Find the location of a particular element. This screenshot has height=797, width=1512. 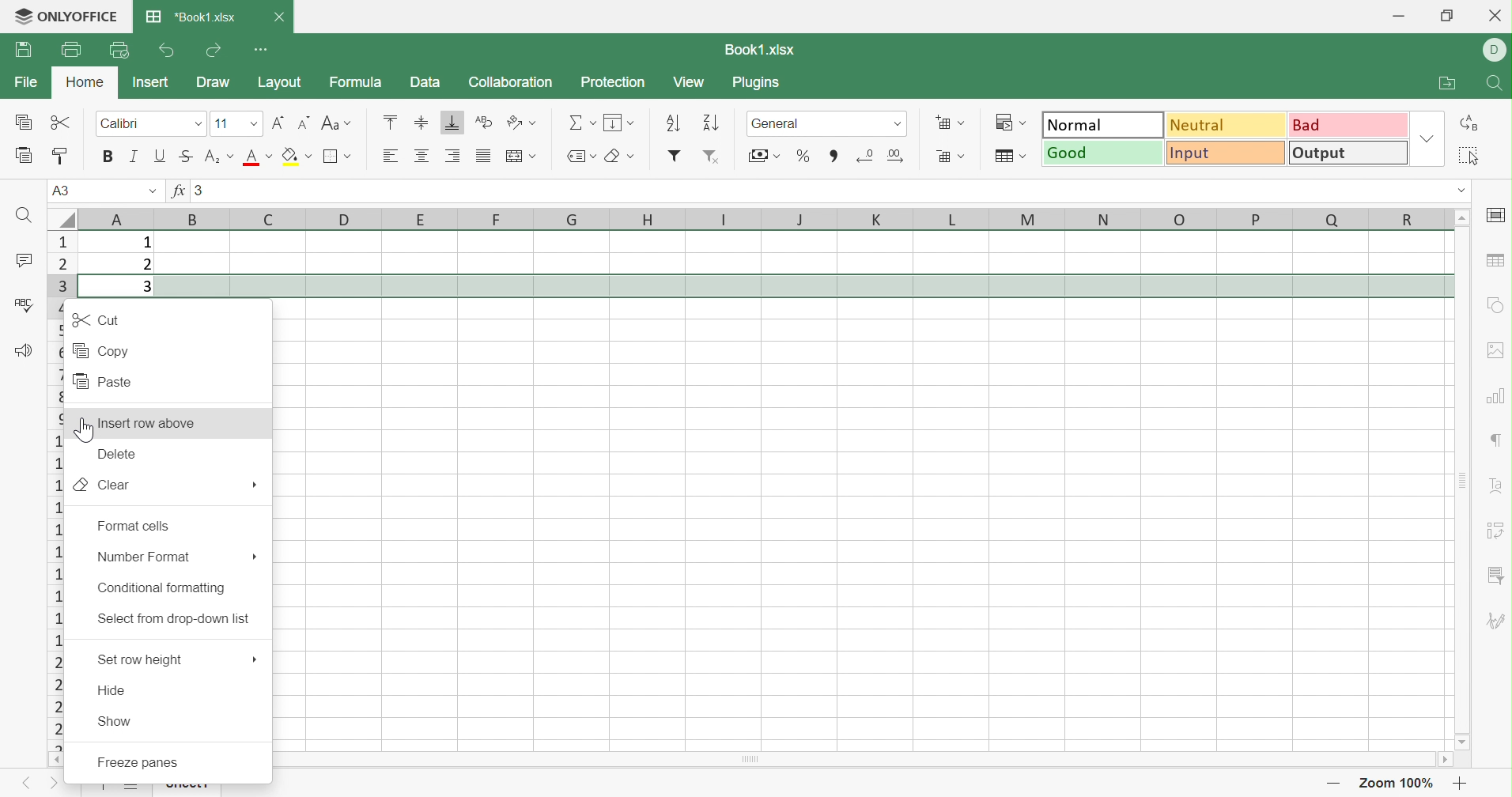

Align Right is located at coordinates (455, 153).